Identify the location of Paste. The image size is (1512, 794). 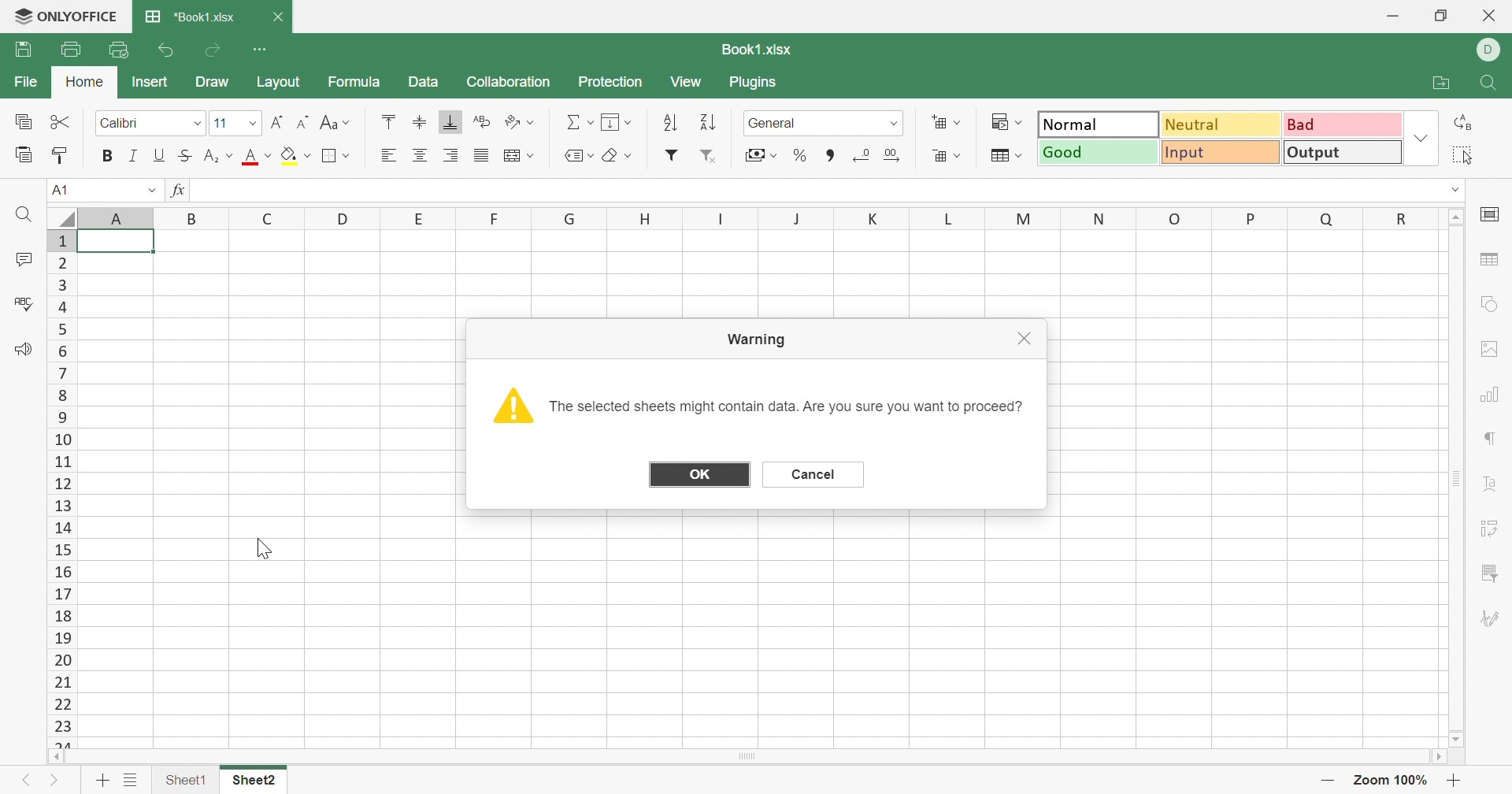
(22, 153).